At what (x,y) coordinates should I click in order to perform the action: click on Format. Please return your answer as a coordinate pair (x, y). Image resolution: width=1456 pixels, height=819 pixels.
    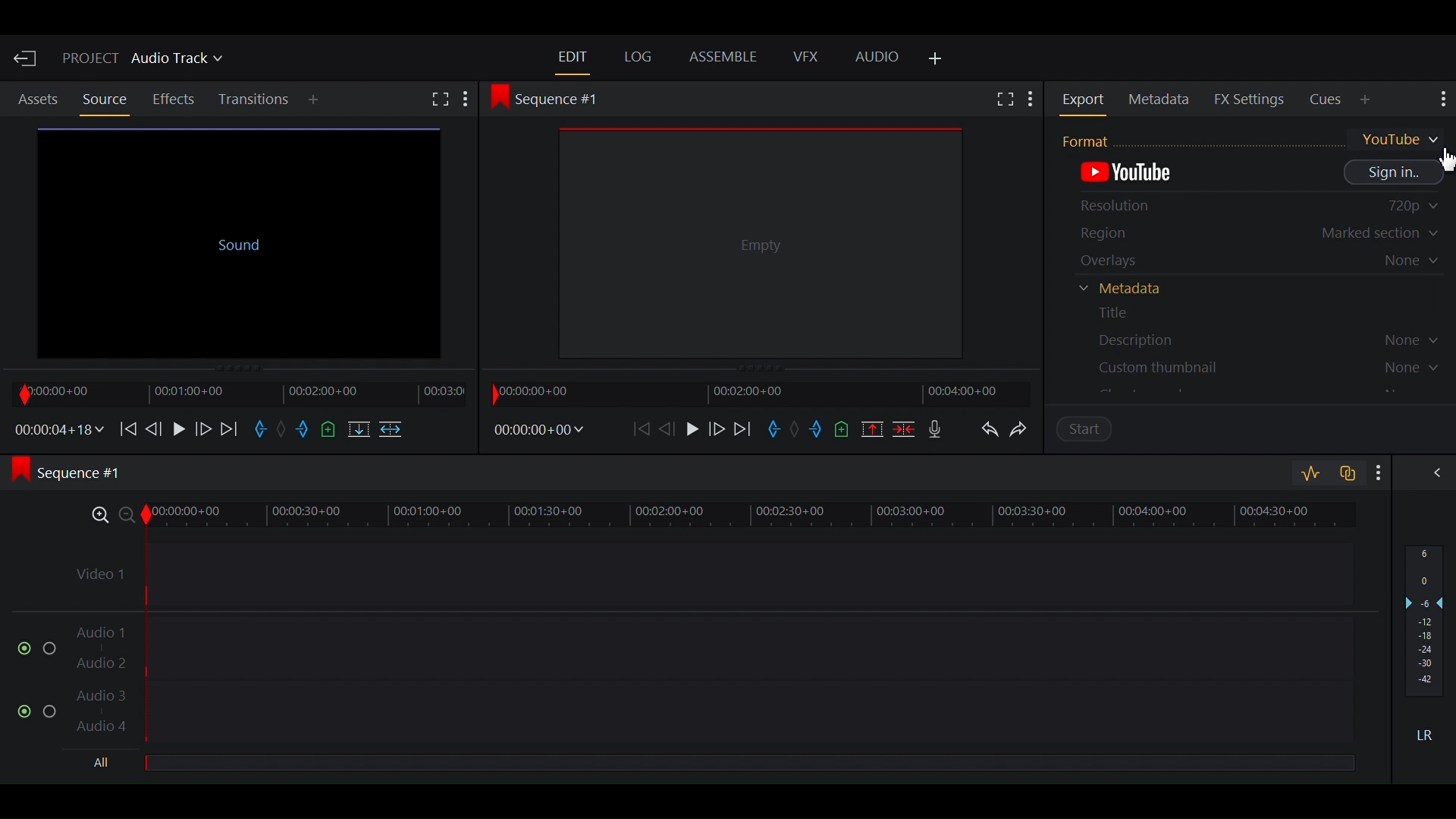
    Looking at the image, I should click on (1252, 138).